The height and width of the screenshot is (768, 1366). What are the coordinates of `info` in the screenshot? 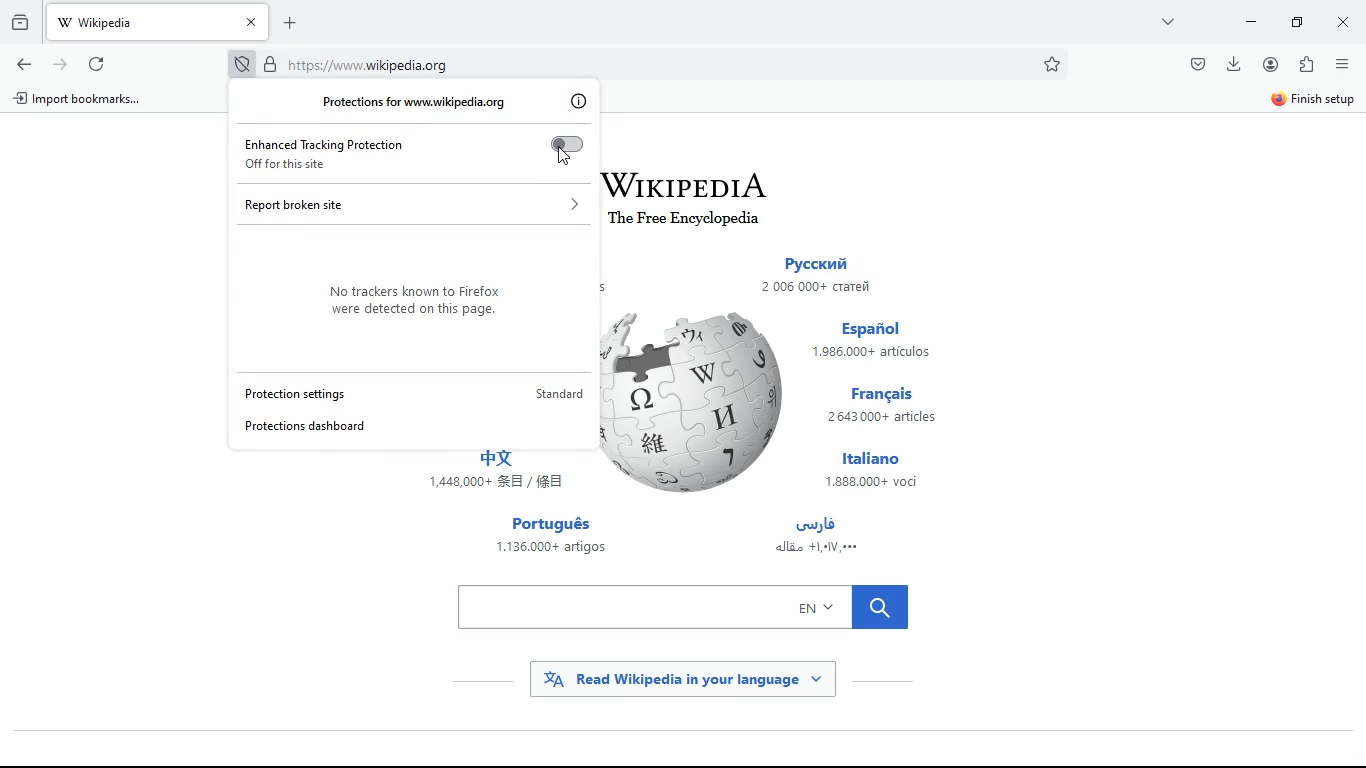 It's located at (580, 101).